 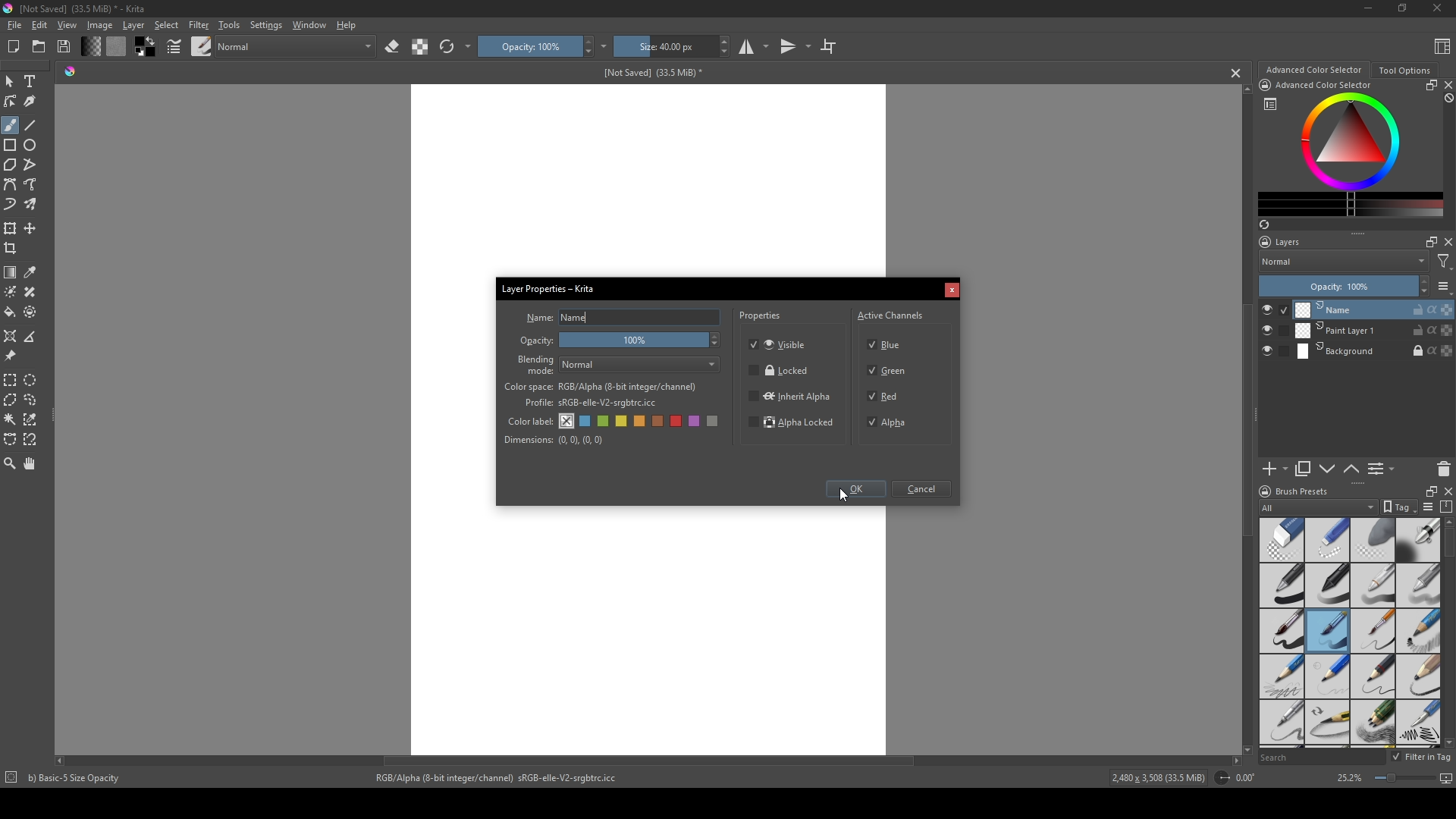 I want to click on Print Layer 1, so click(x=1374, y=331).